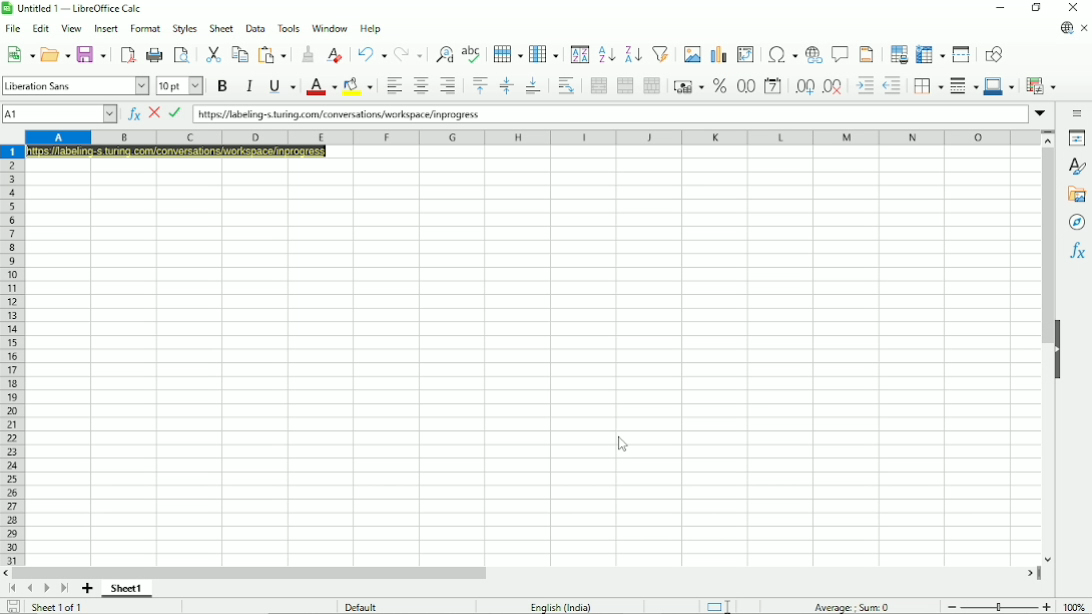 The width and height of the screenshot is (1092, 614). Describe the element at coordinates (222, 28) in the screenshot. I see `Sheet` at that location.